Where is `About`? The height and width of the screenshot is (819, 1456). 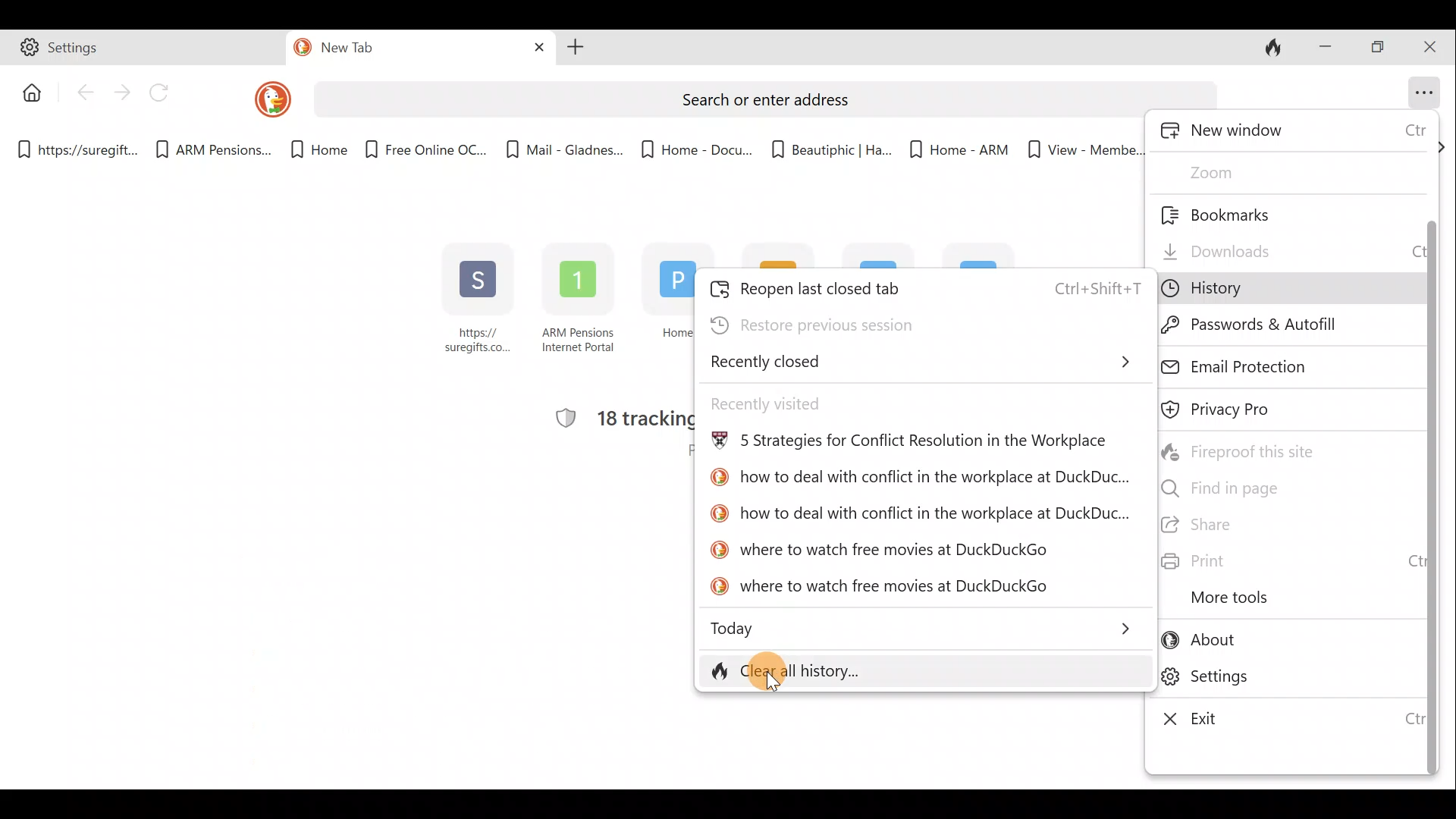
About is located at coordinates (1282, 643).